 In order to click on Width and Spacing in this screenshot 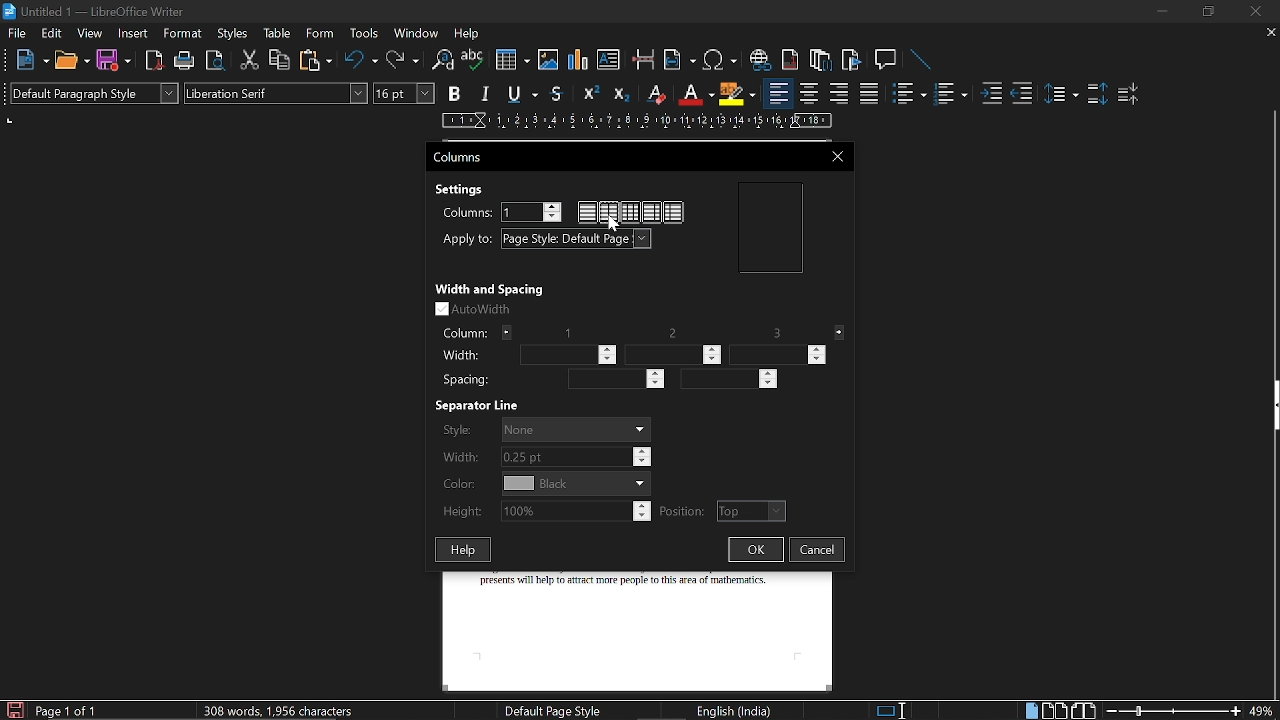, I will do `click(491, 290)`.